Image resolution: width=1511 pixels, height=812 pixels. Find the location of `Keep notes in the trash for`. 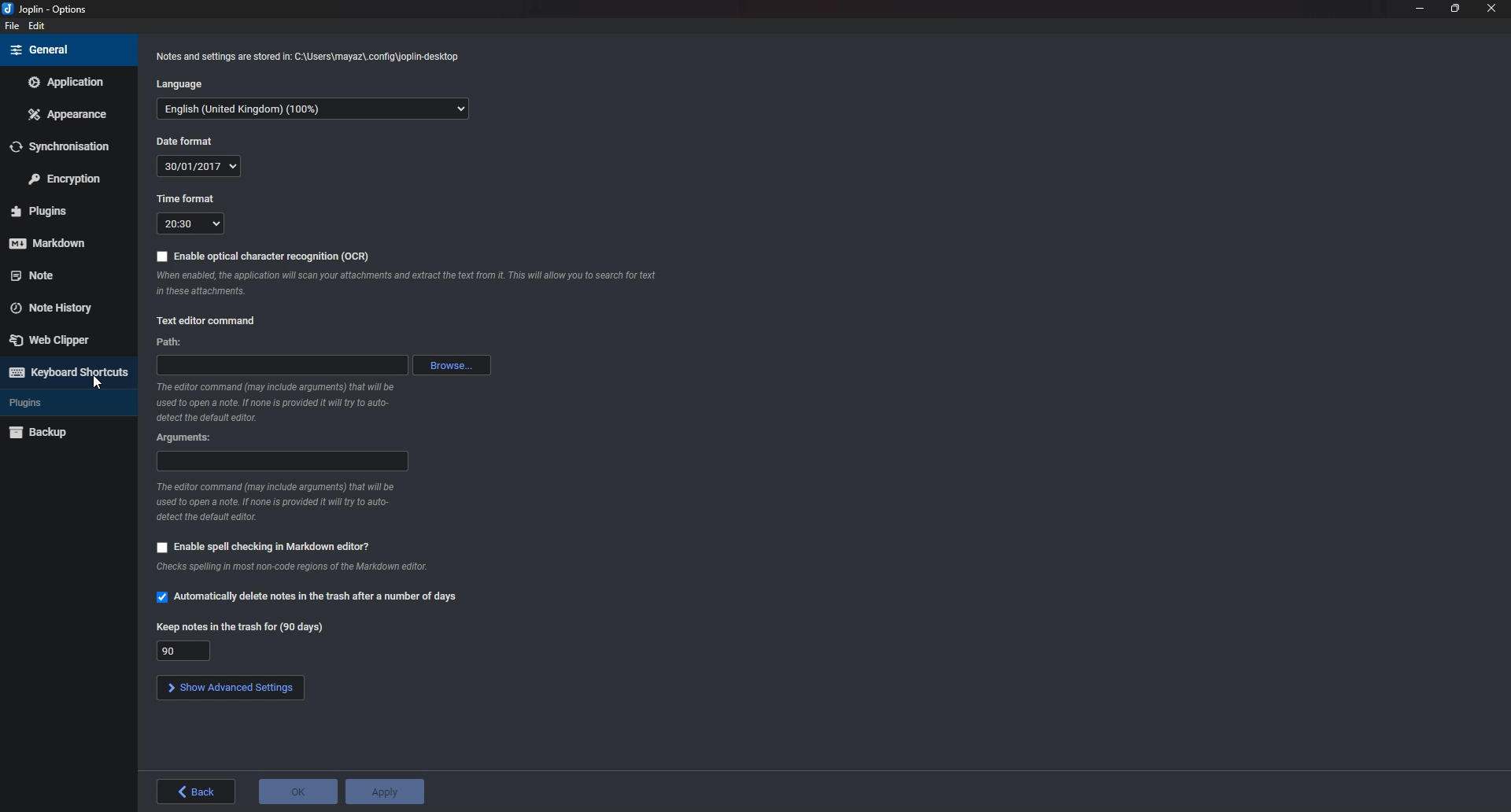

Keep notes in the trash for is located at coordinates (246, 629).